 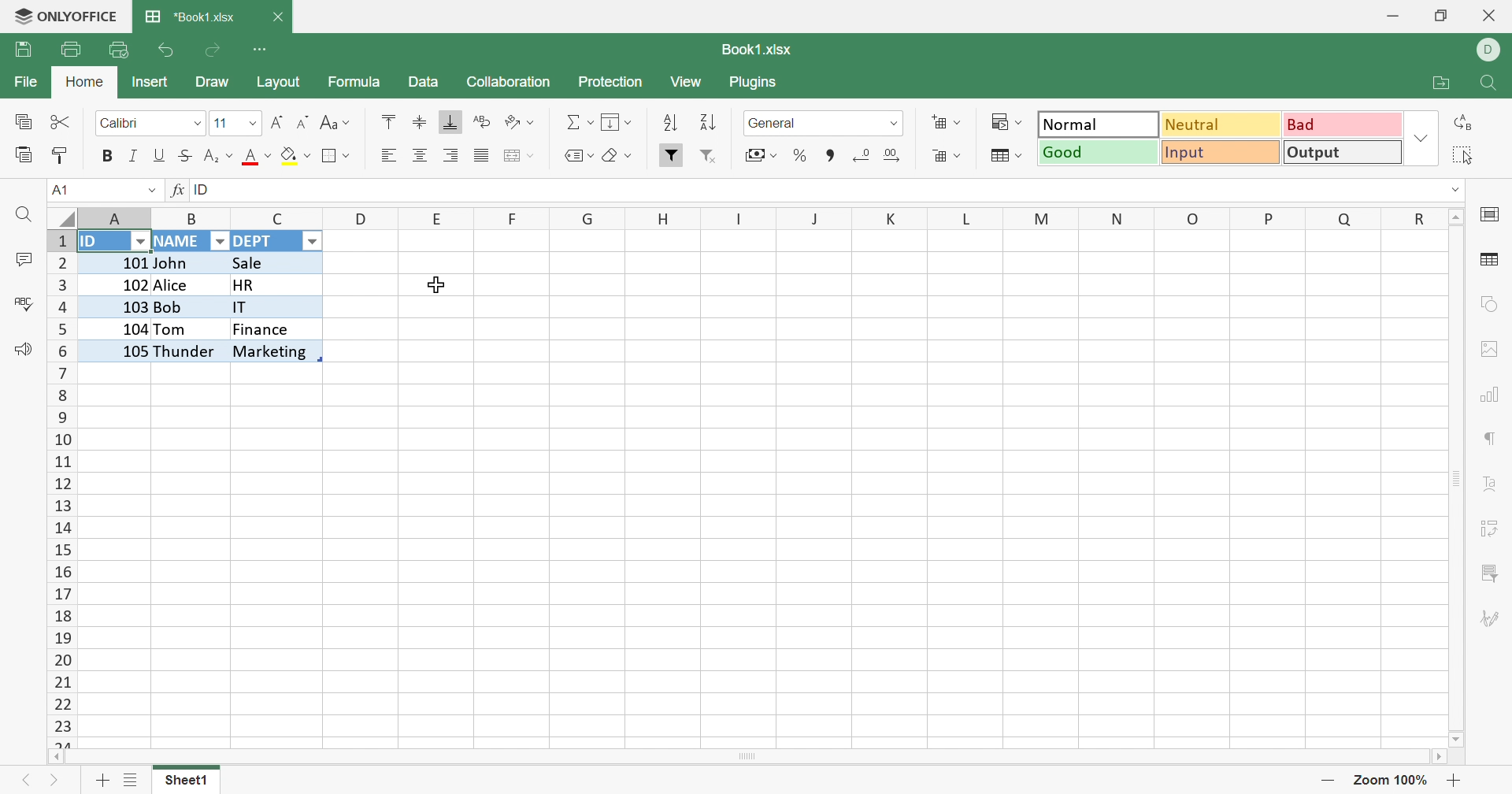 What do you see at coordinates (1440, 17) in the screenshot?
I see `Restore Down` at bounding box center [1440, 17].